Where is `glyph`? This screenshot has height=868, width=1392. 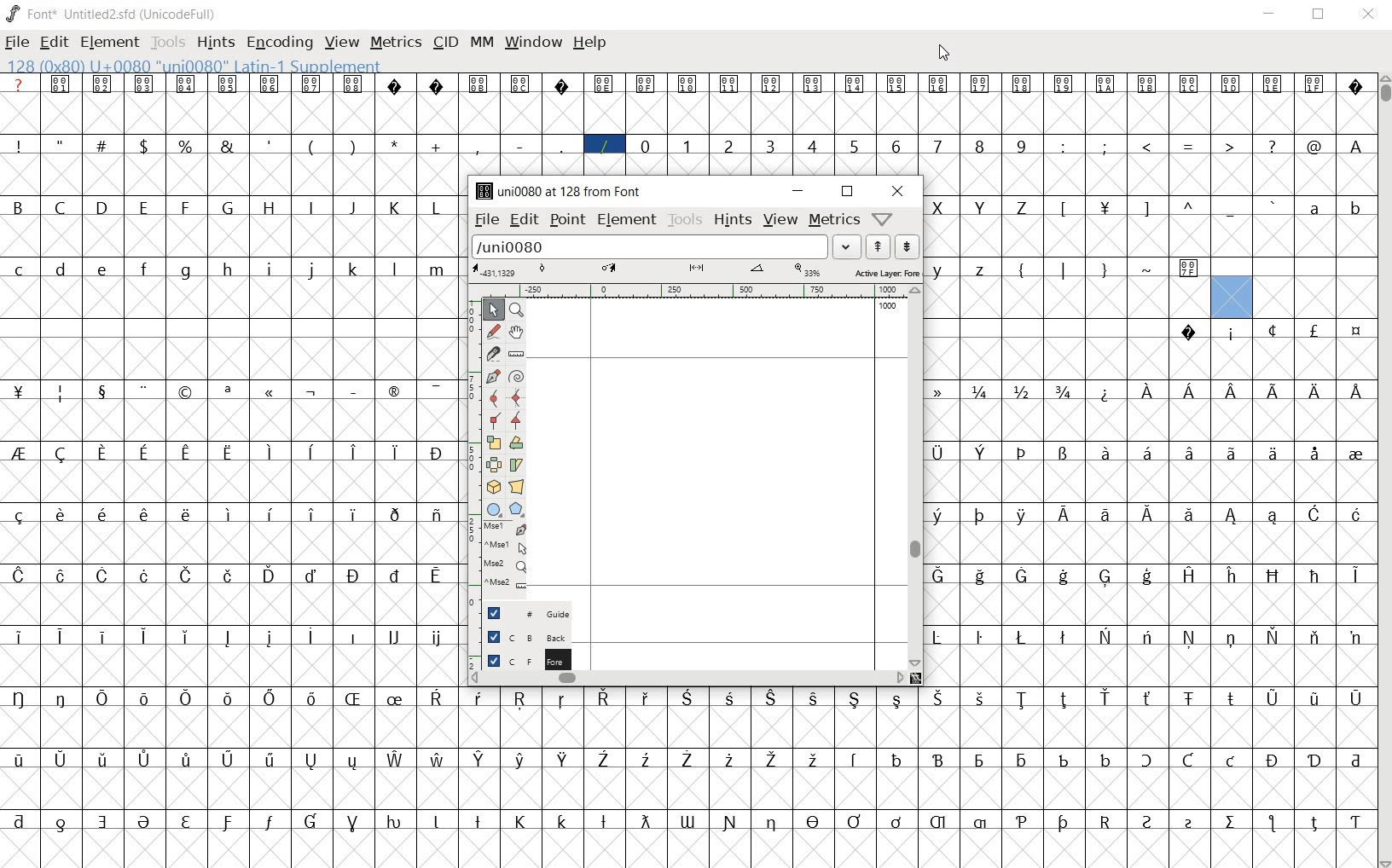 glyph is located at coordinates (311, 821).